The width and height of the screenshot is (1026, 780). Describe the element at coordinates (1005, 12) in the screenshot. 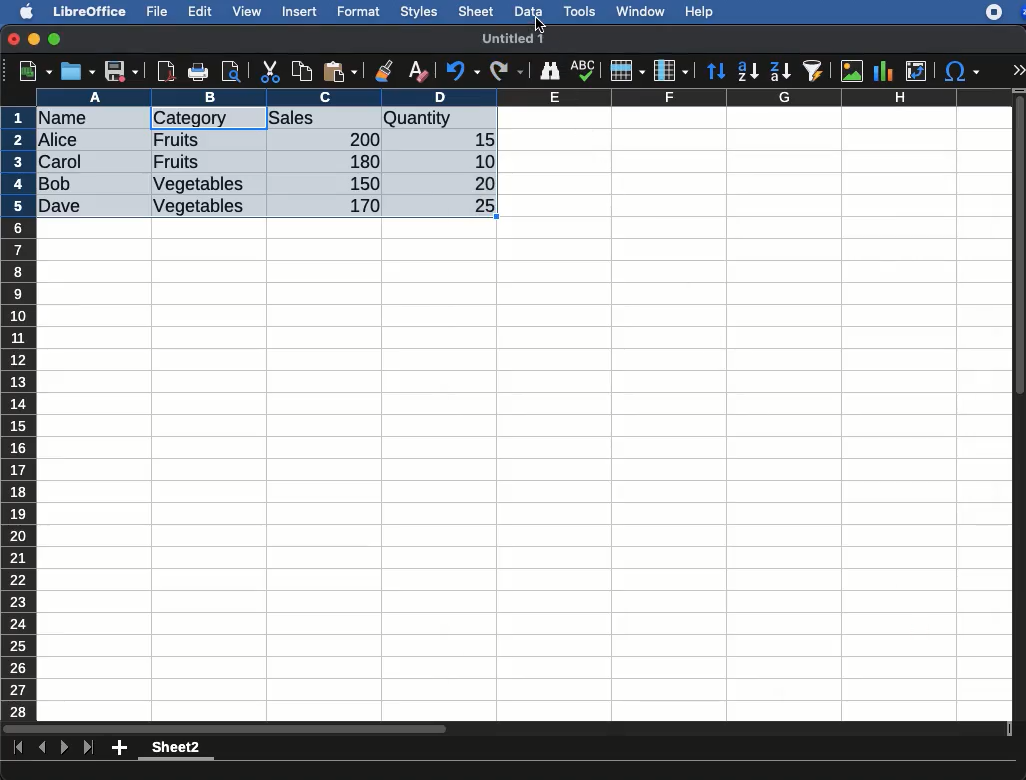

I see `extensions` at that location.